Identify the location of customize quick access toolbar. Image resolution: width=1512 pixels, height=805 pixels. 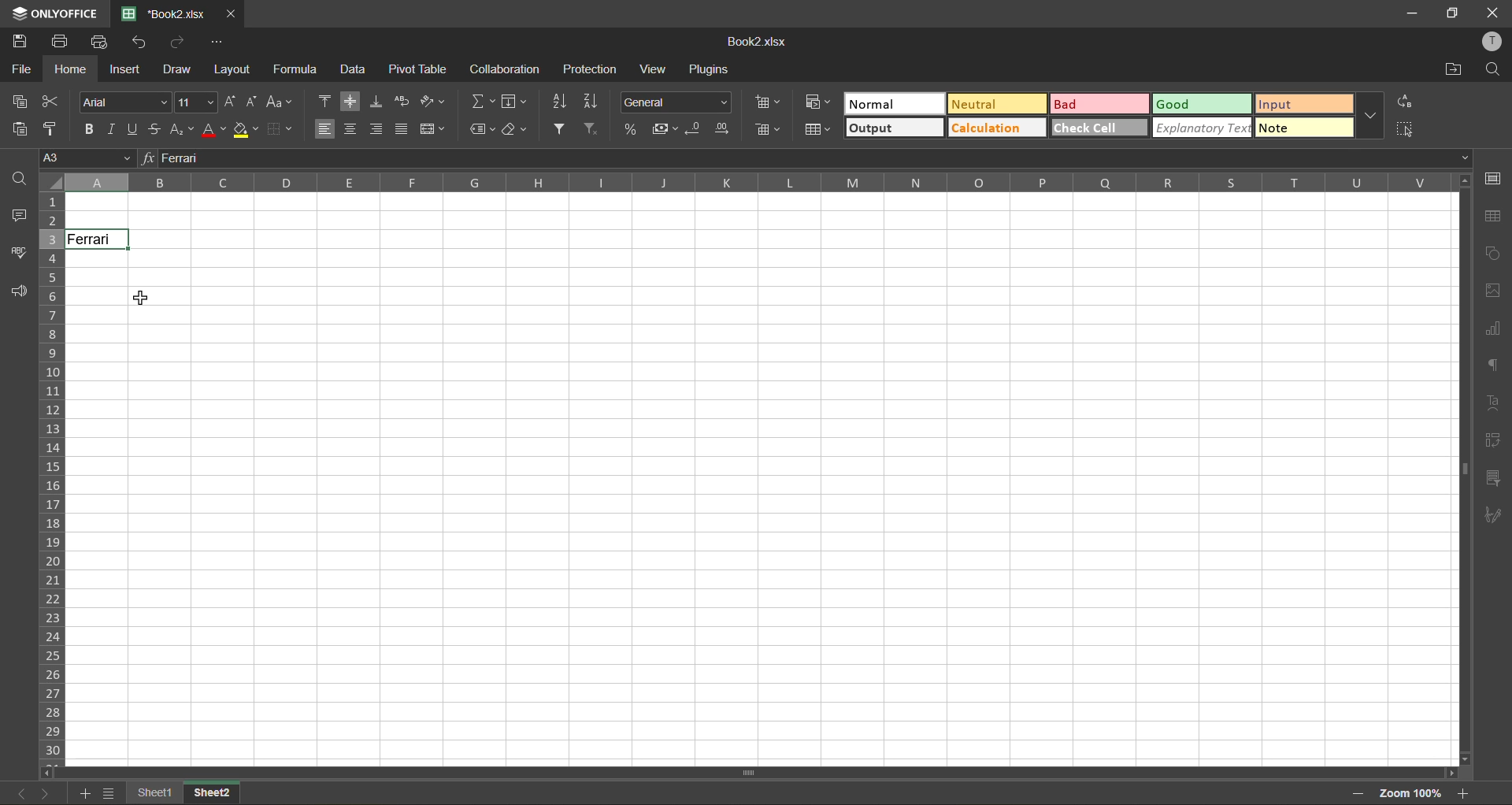
(217, 42).